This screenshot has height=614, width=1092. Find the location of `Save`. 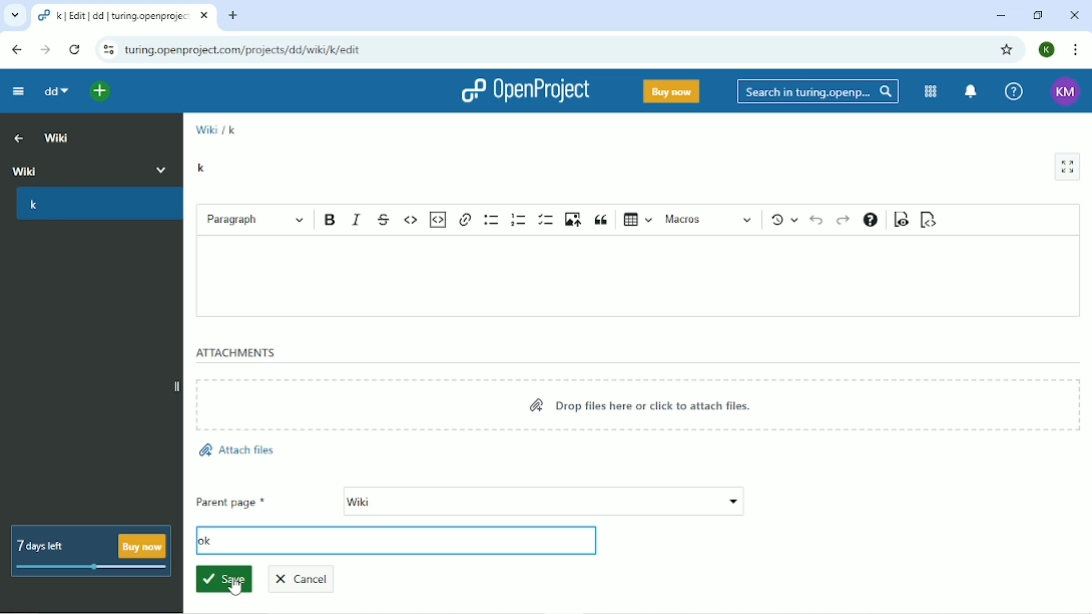

Save is located at coordinates (223, 580).